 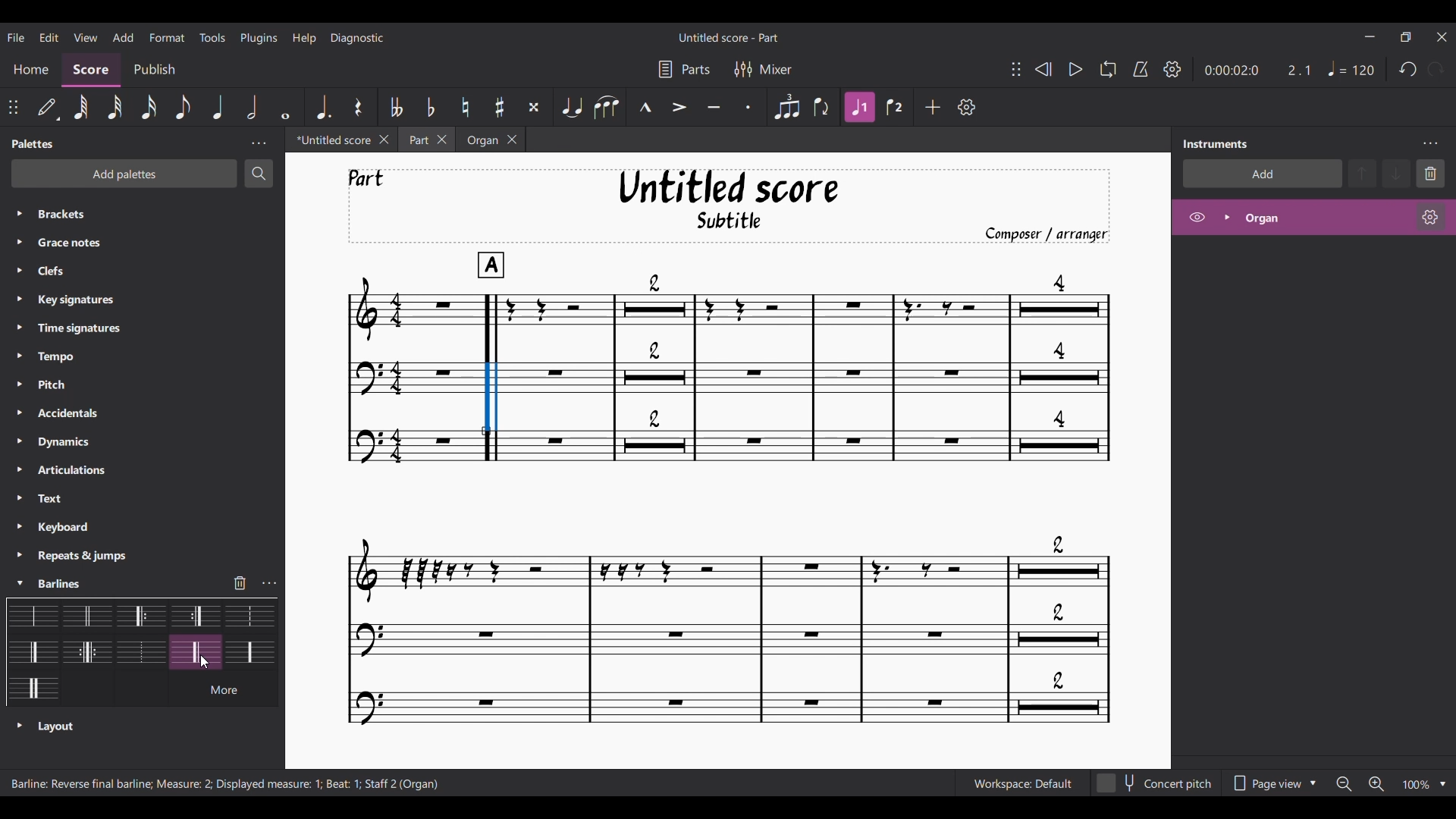 What do you see at coordinates (1075, 69) in the screenshot?
I see `Play` at bounding box center [1075, 69].